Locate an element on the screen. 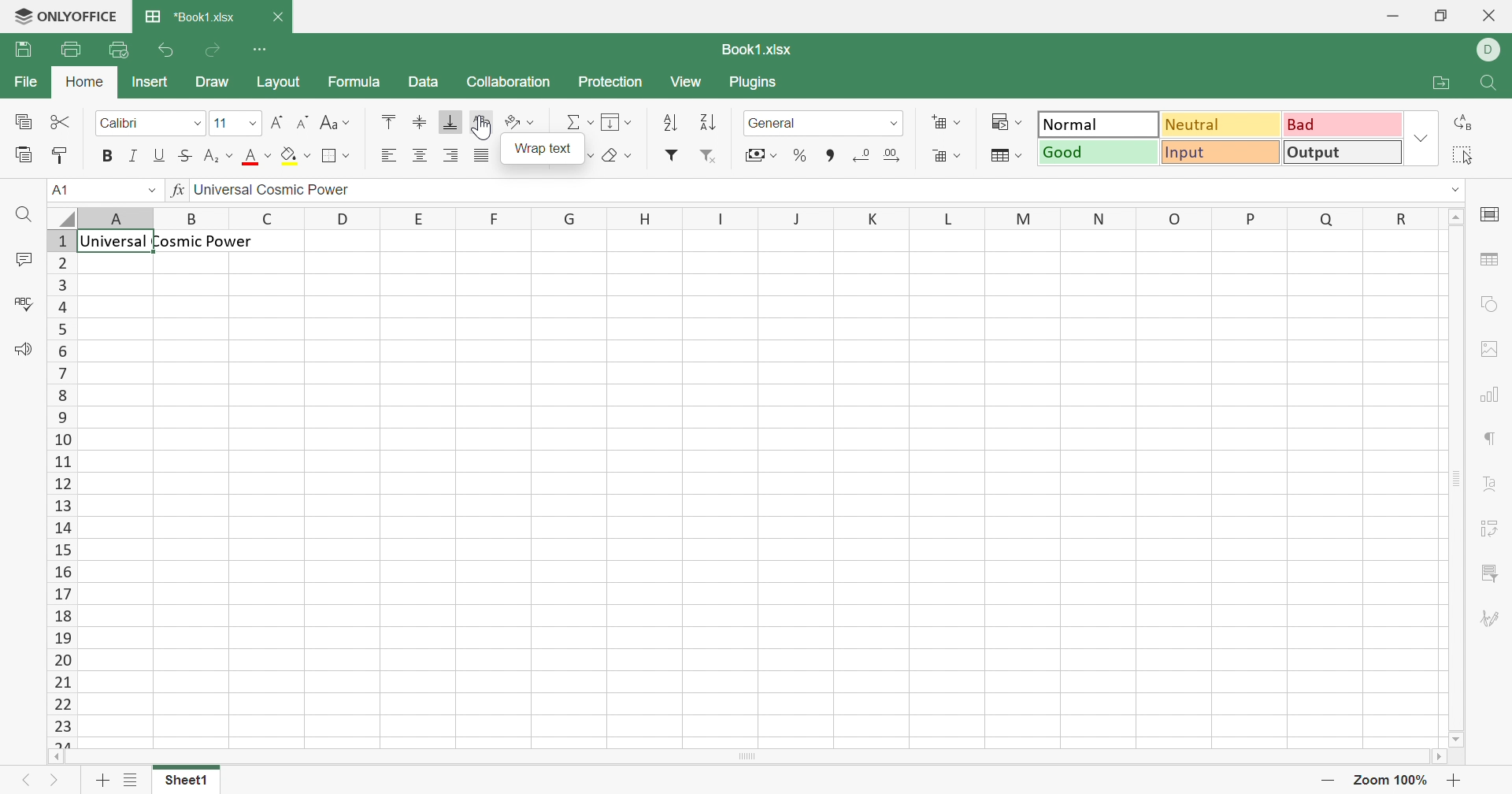 This screenshot has height=794, width=1512. Calibri is located at coordinates (124, 126).